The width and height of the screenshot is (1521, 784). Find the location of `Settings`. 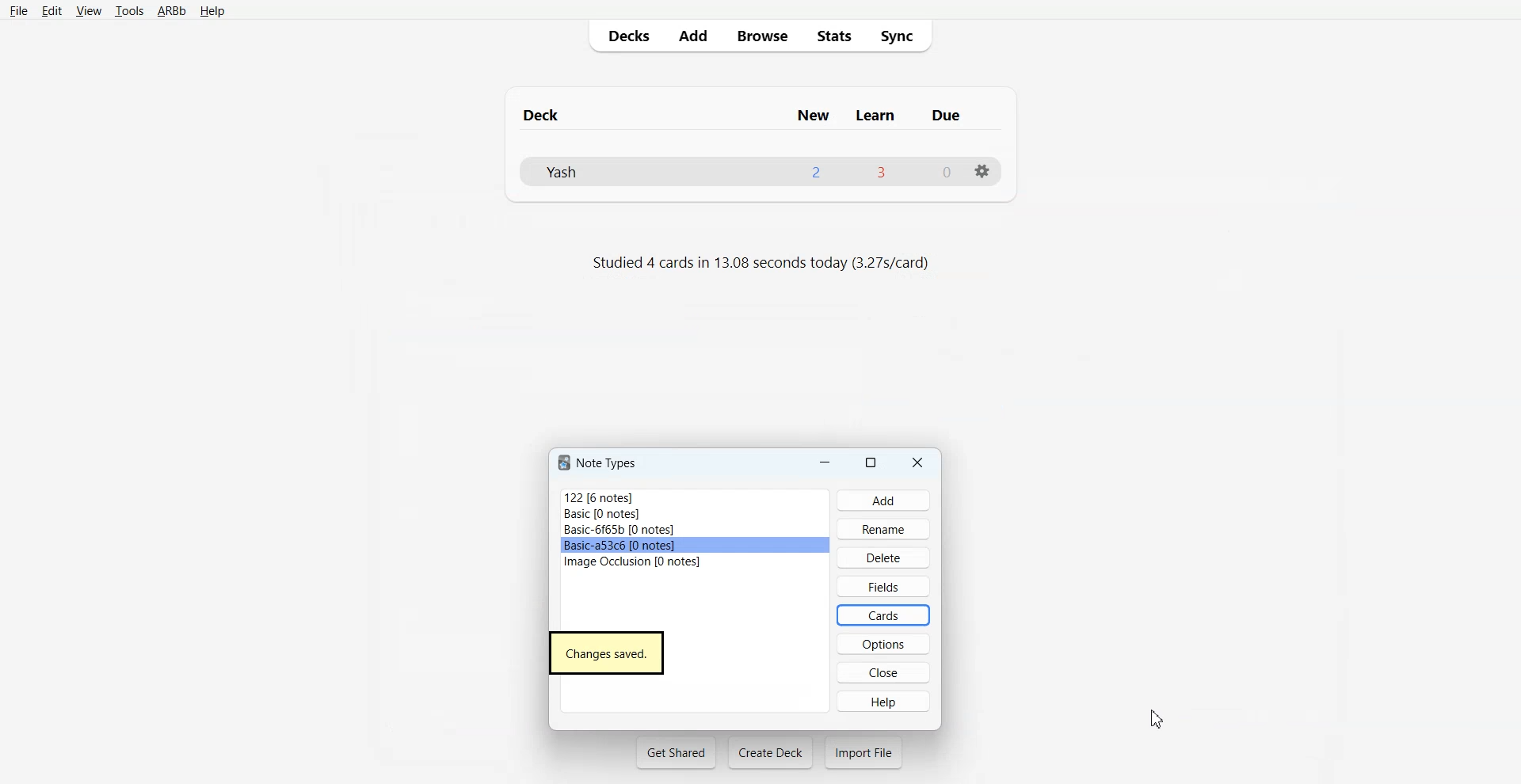

Settings is located at coordinates (982, 171).